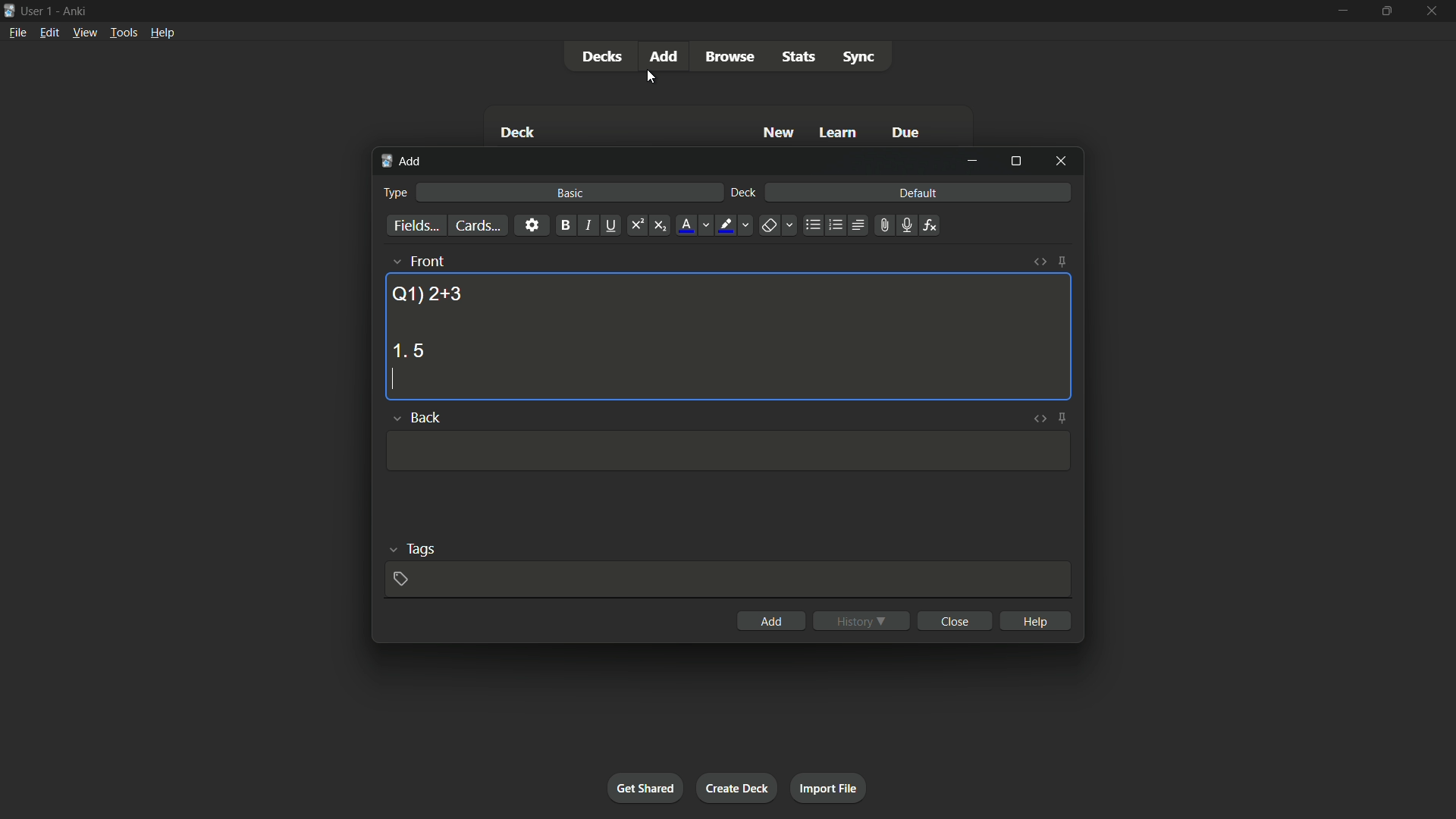  I want to click on browse, so click(730, 57).